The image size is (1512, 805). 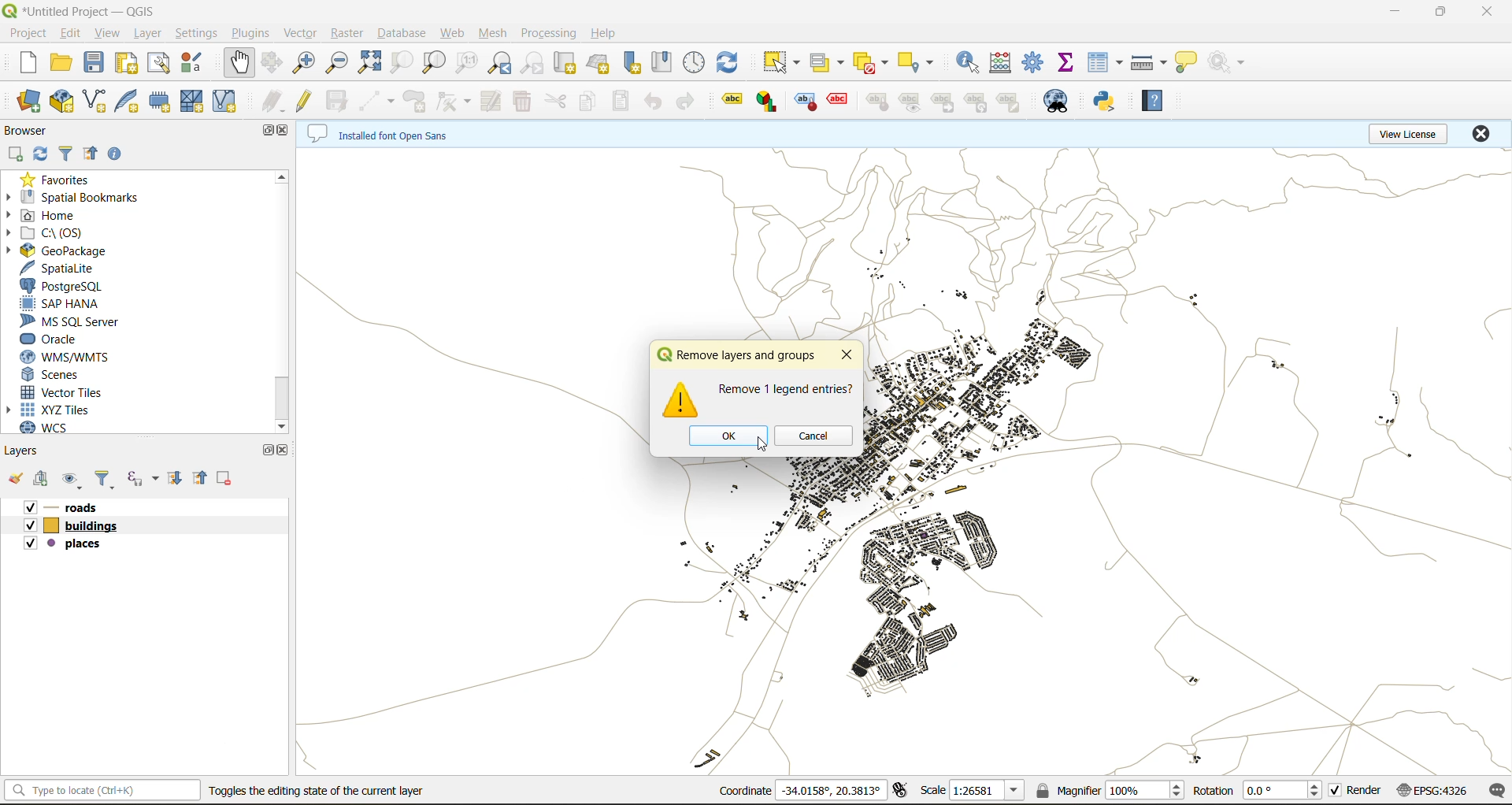 I want to click on zoom next, so click(x=537, y=62).